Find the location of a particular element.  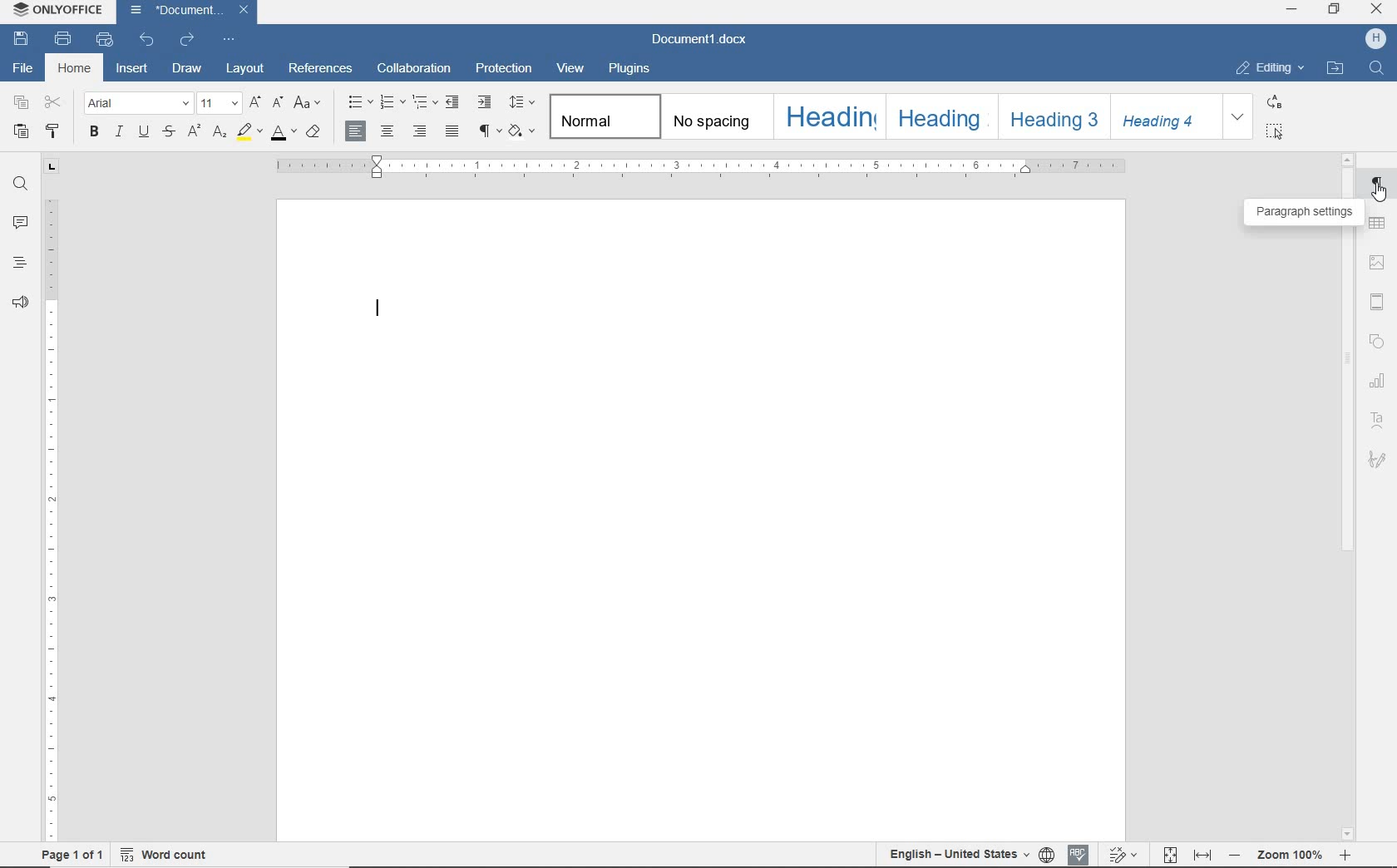

heading3 is located at coordinates (1054, 121).